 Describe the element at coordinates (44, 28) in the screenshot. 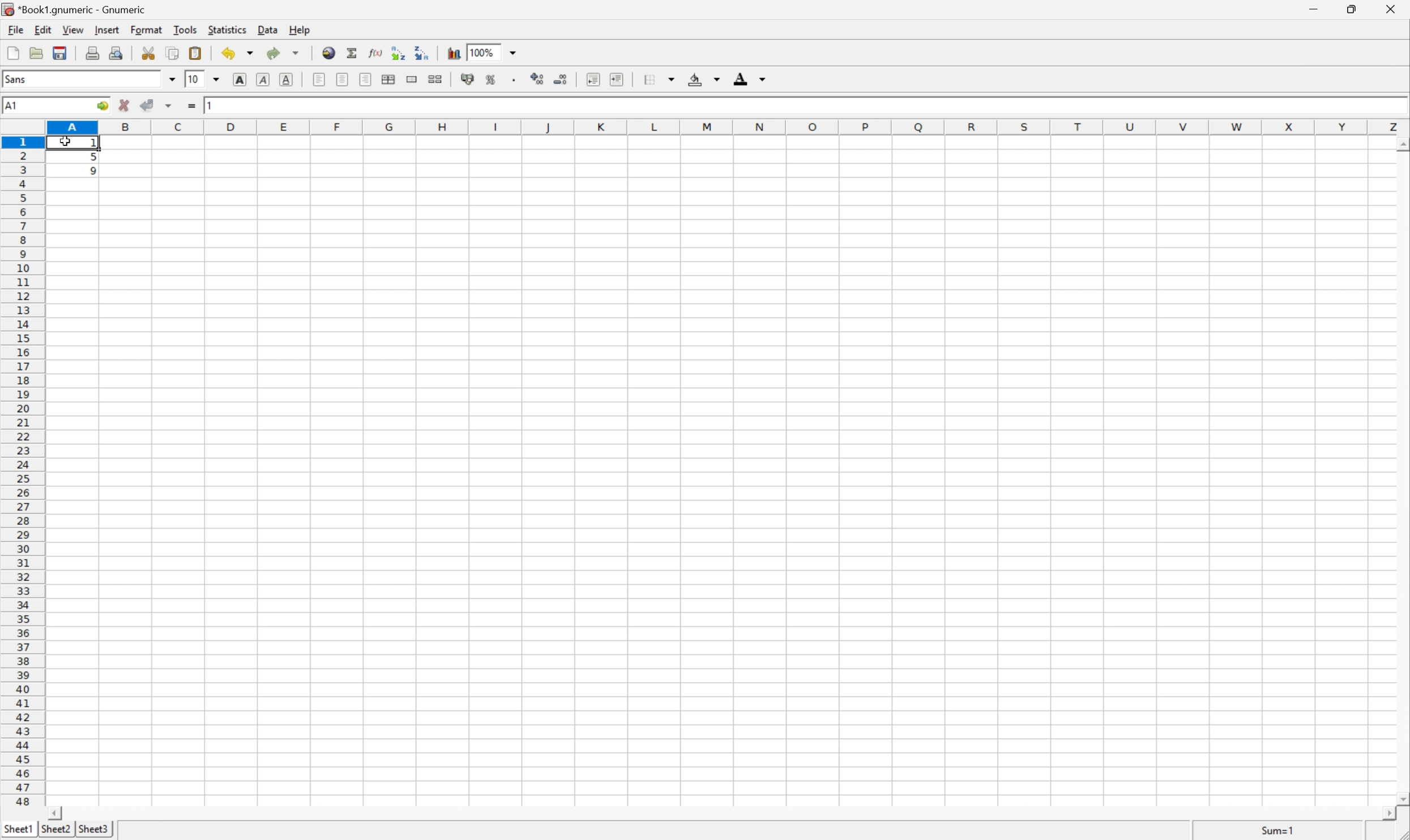

I see `edit` at that location.